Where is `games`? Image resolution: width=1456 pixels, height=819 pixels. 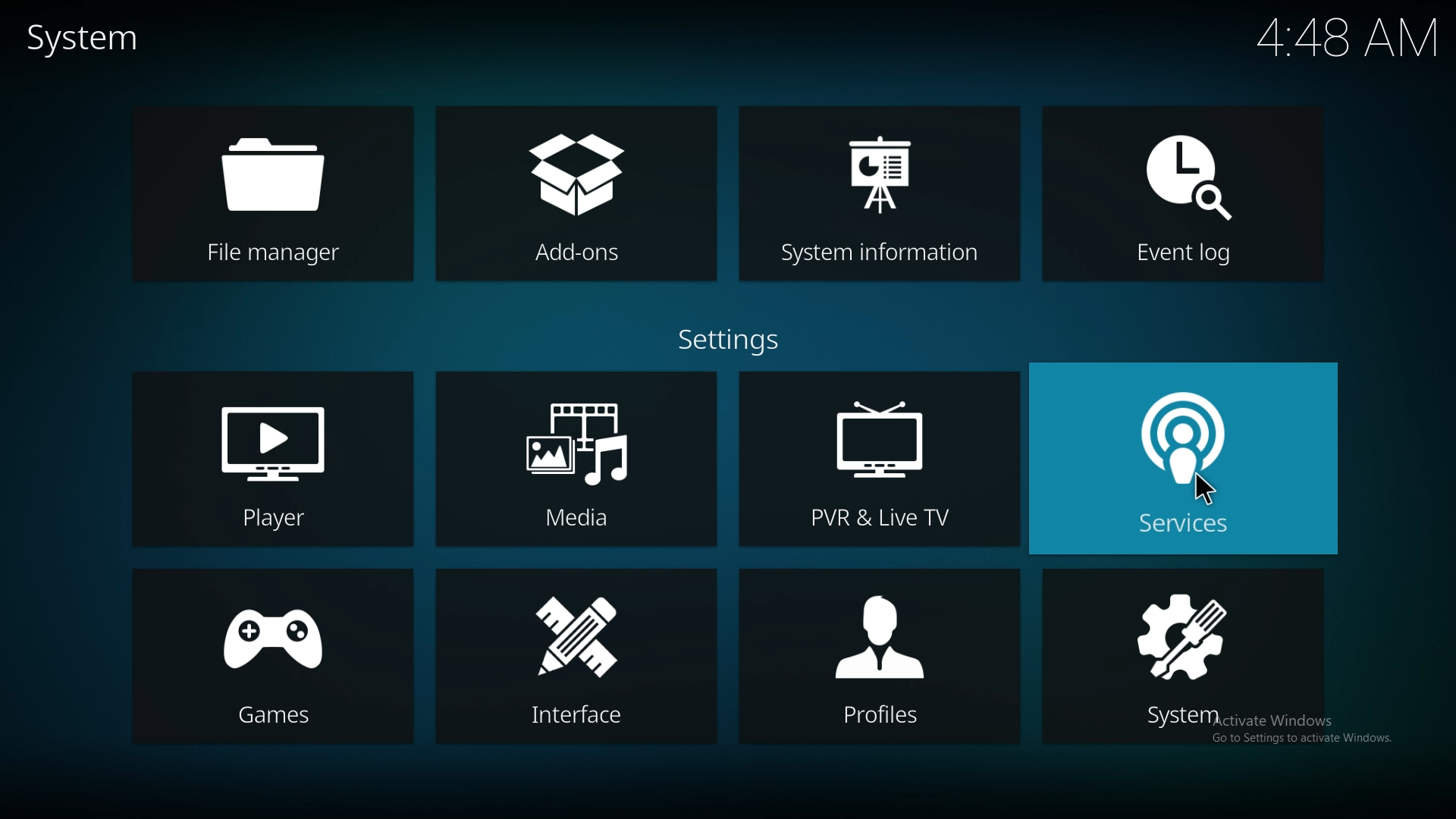 games is located at coordinates (271, 655).